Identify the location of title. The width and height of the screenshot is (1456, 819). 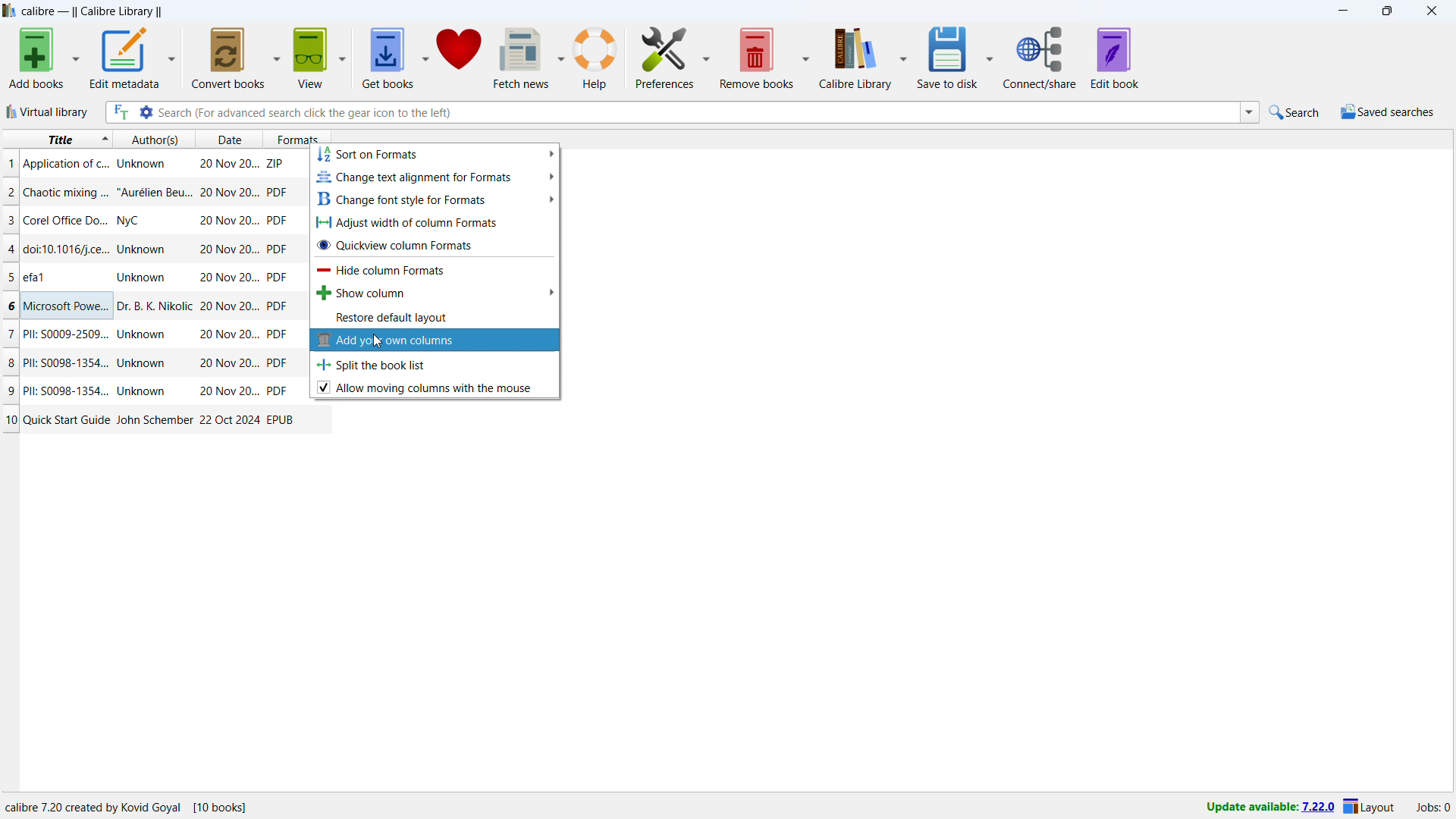
(64, 362).